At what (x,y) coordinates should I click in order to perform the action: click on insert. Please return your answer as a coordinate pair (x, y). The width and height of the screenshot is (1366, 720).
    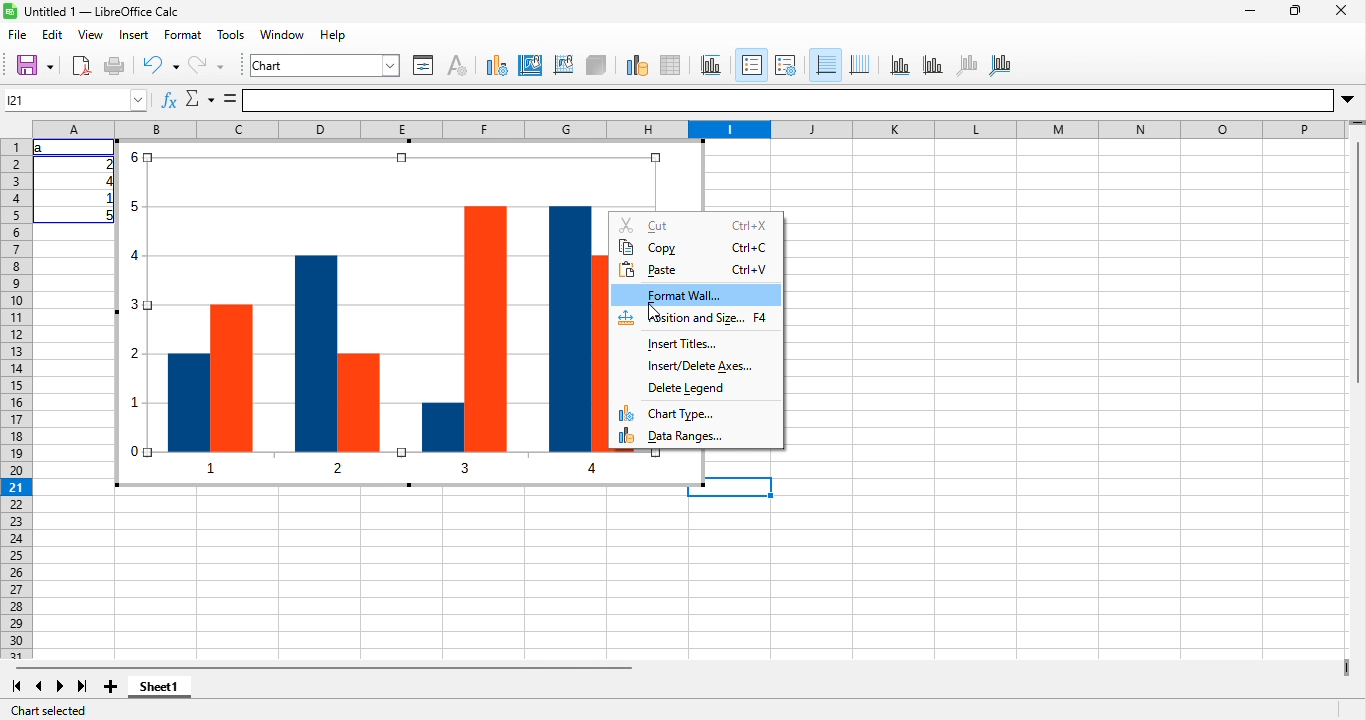
    Looking at the image, I should click on (135, 34).